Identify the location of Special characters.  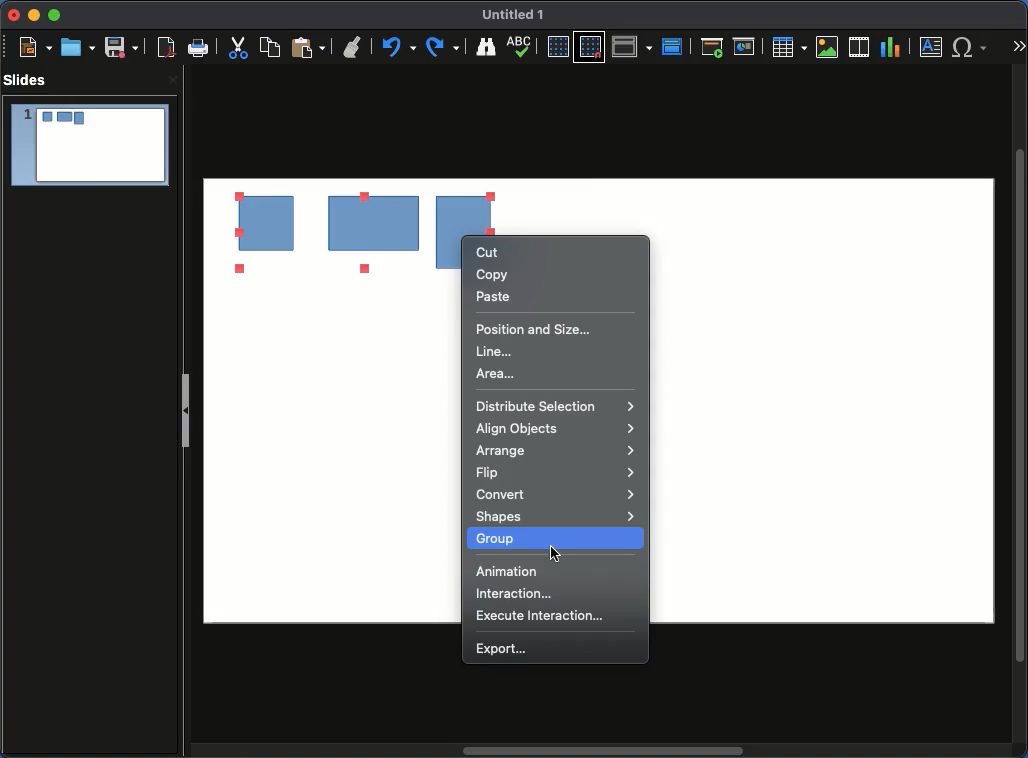
(970, 47).